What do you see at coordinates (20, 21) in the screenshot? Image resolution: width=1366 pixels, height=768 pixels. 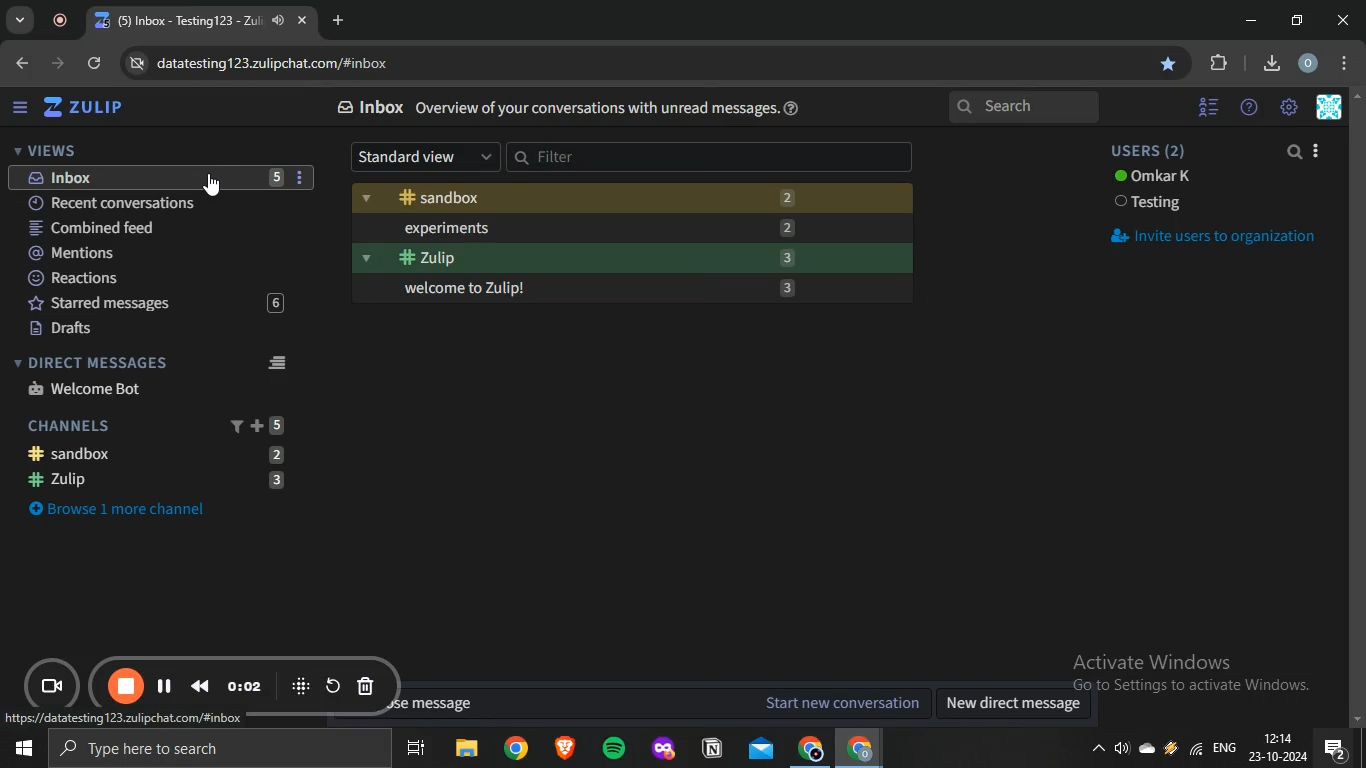 I see `search tab` at bounding box center [20, 21].